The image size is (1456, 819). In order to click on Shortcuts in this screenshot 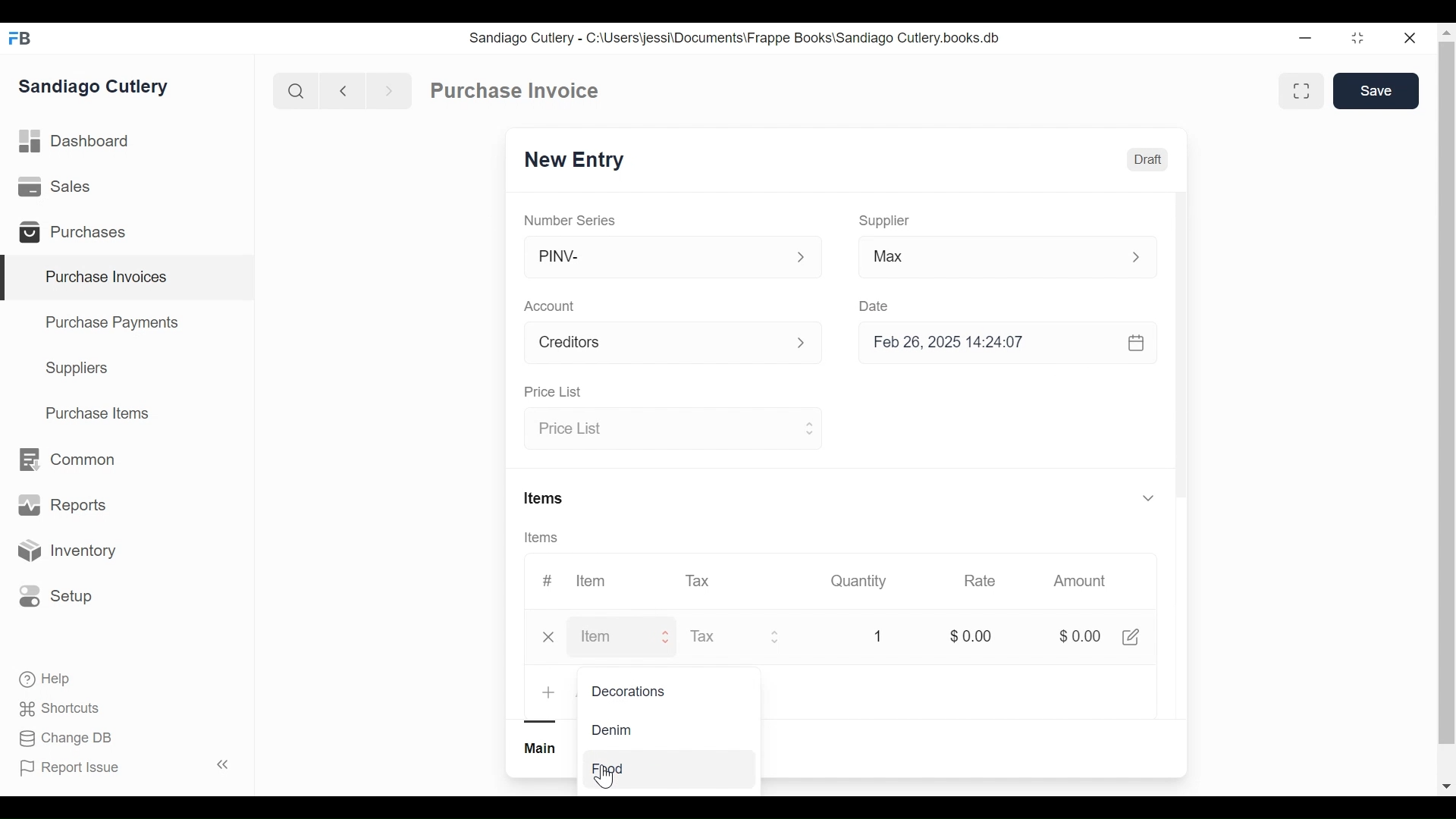, I will do `click(61, 708)`.